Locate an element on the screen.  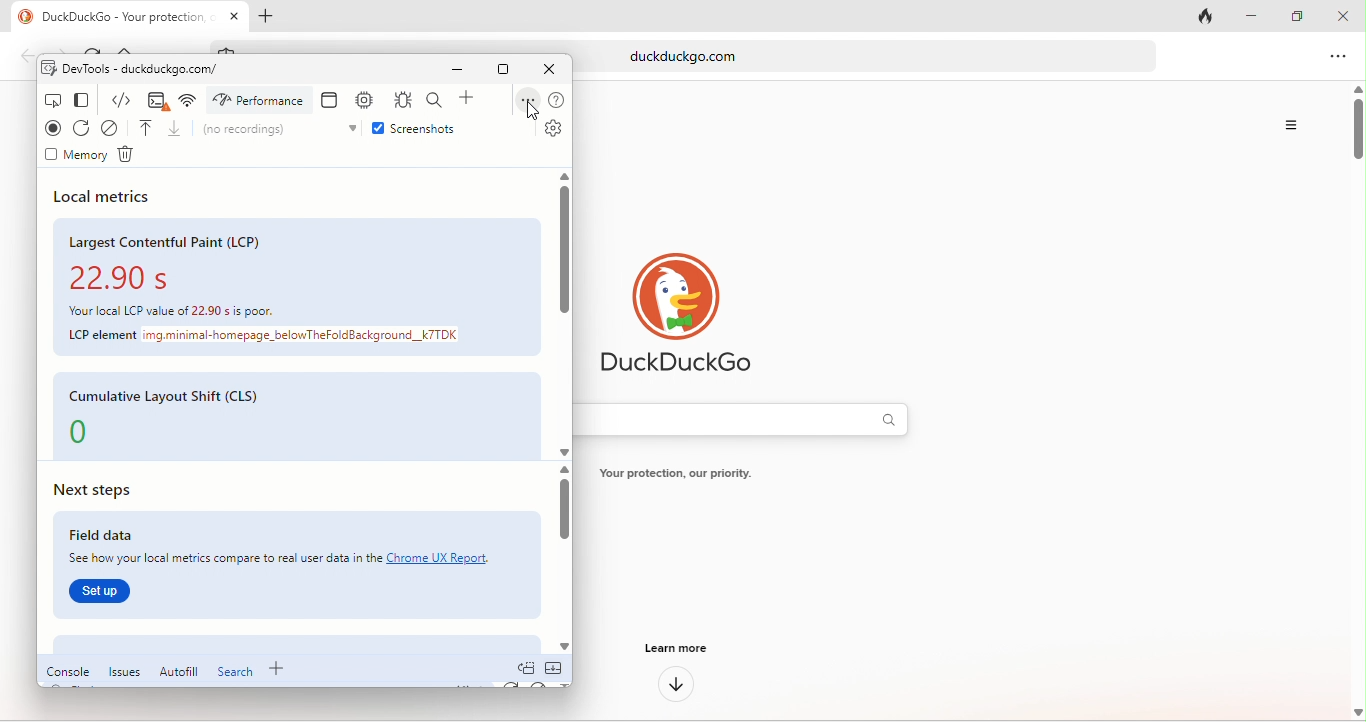
duck duck go logo is located at coordinates (688, 295).